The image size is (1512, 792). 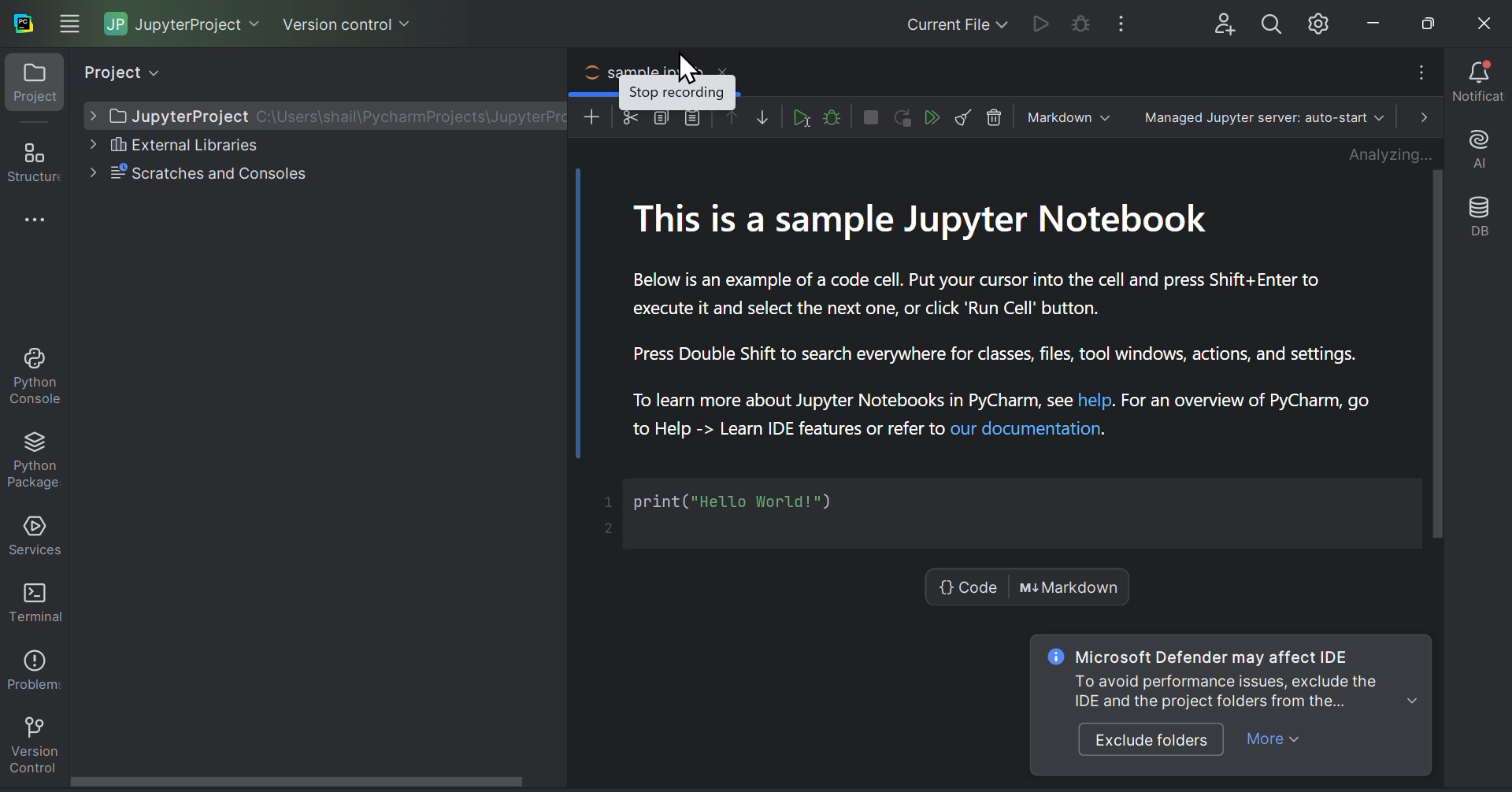 What do you see at coordinates (661, 117) in the screenshot?
I see `copy cell` at bounding box center [661, 117].